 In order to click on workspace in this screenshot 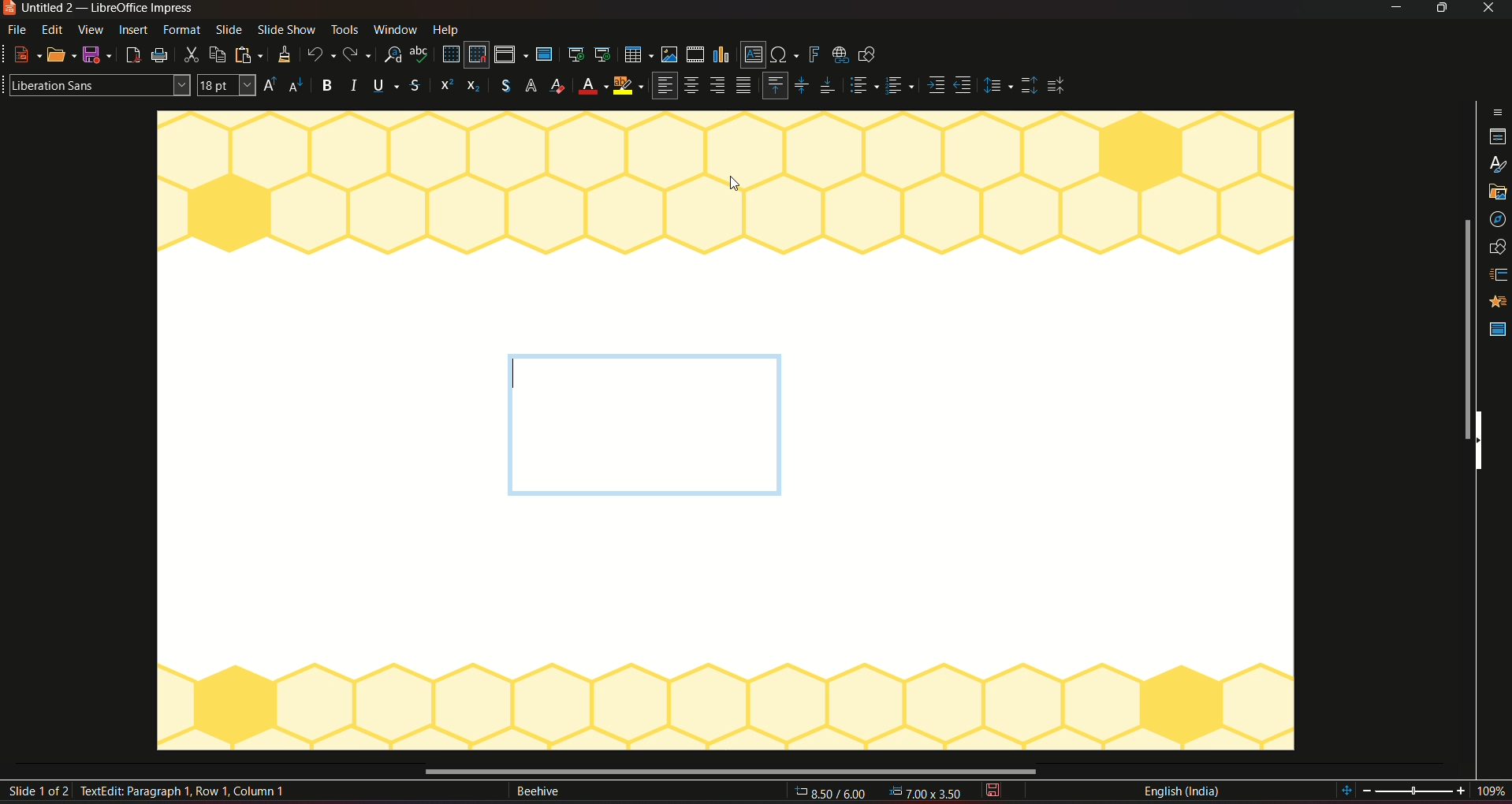, I will do `click(724, 225)`.